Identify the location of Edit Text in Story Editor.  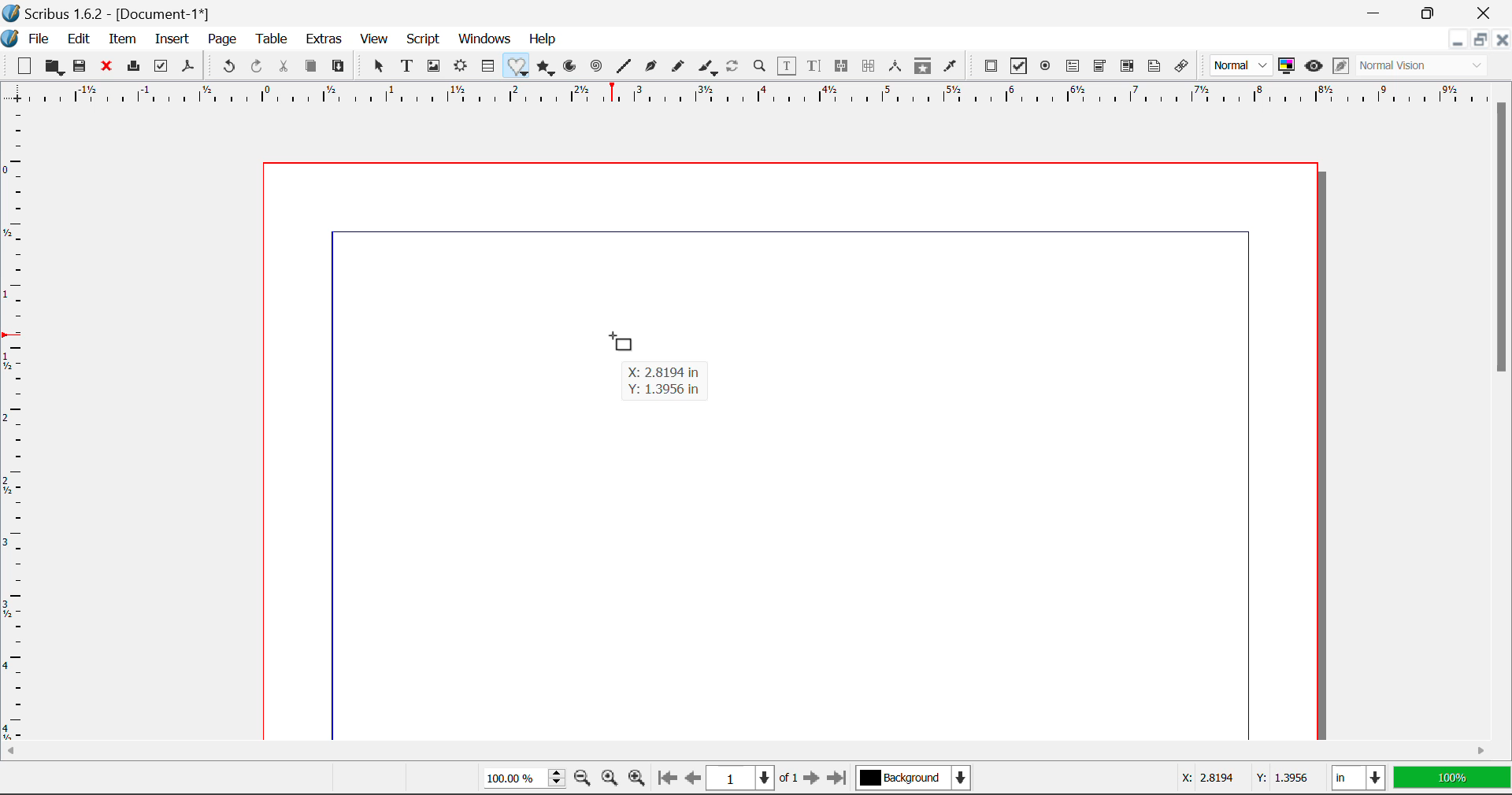
(814, 68).